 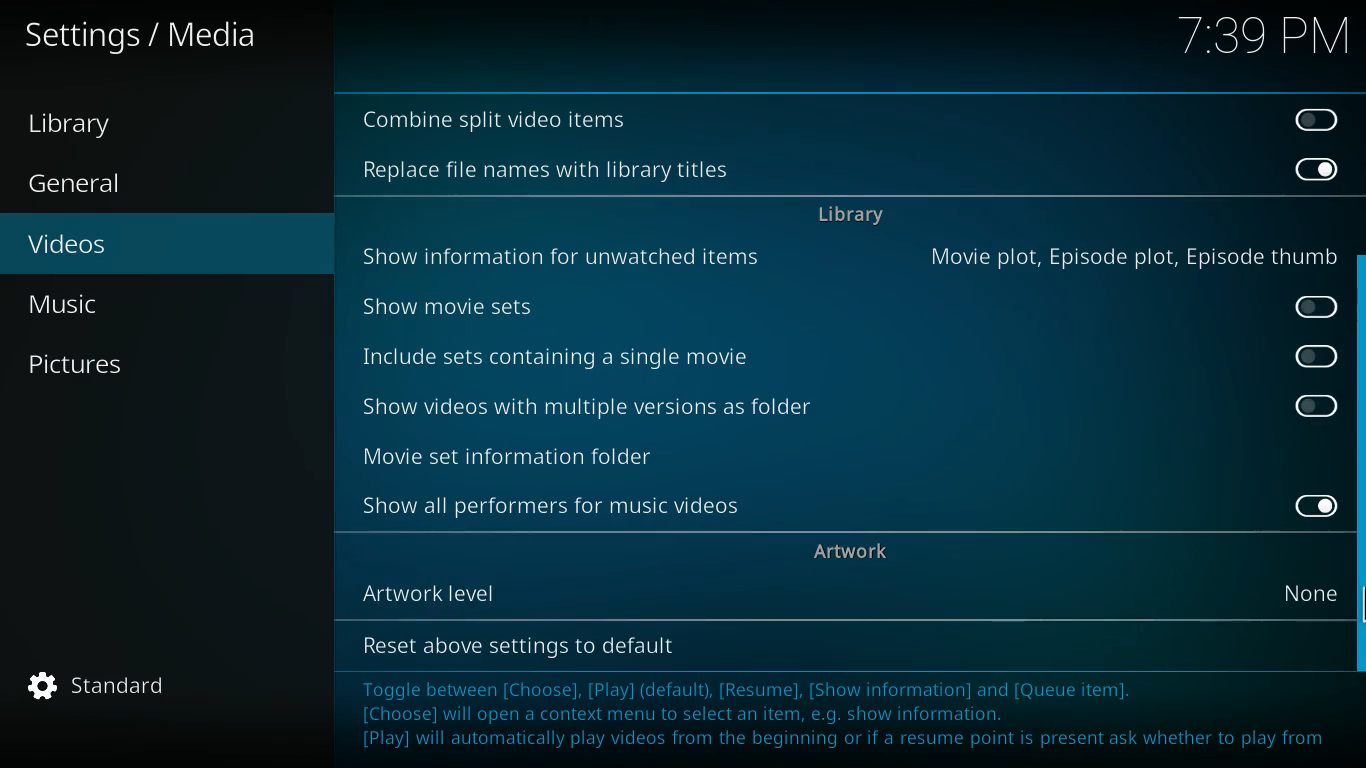 I want to click on Replace file names with library titles, so click(x=546, y=171).